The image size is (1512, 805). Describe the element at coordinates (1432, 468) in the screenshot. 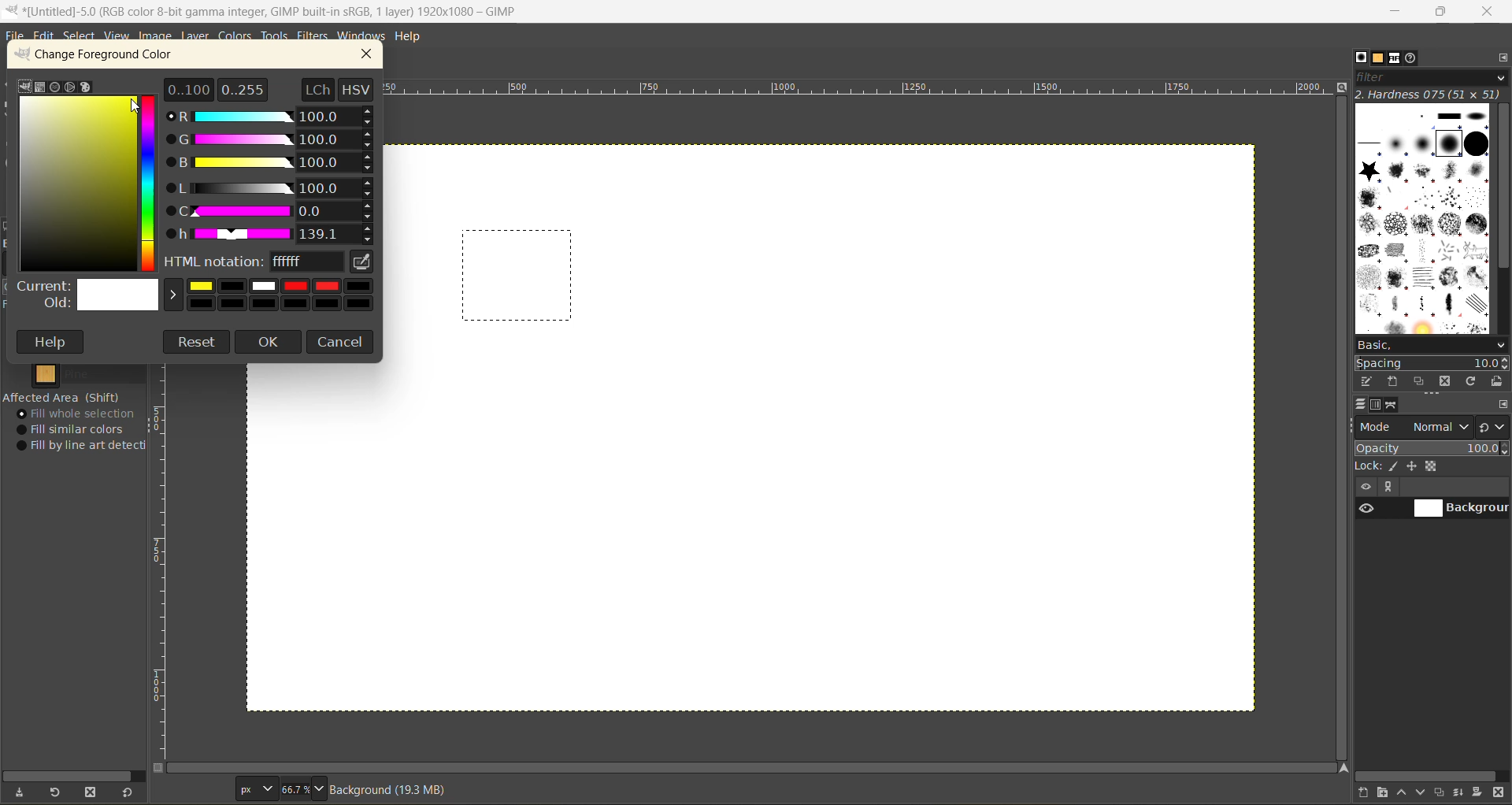

I see `lock pixel, position, alpha` at that location.